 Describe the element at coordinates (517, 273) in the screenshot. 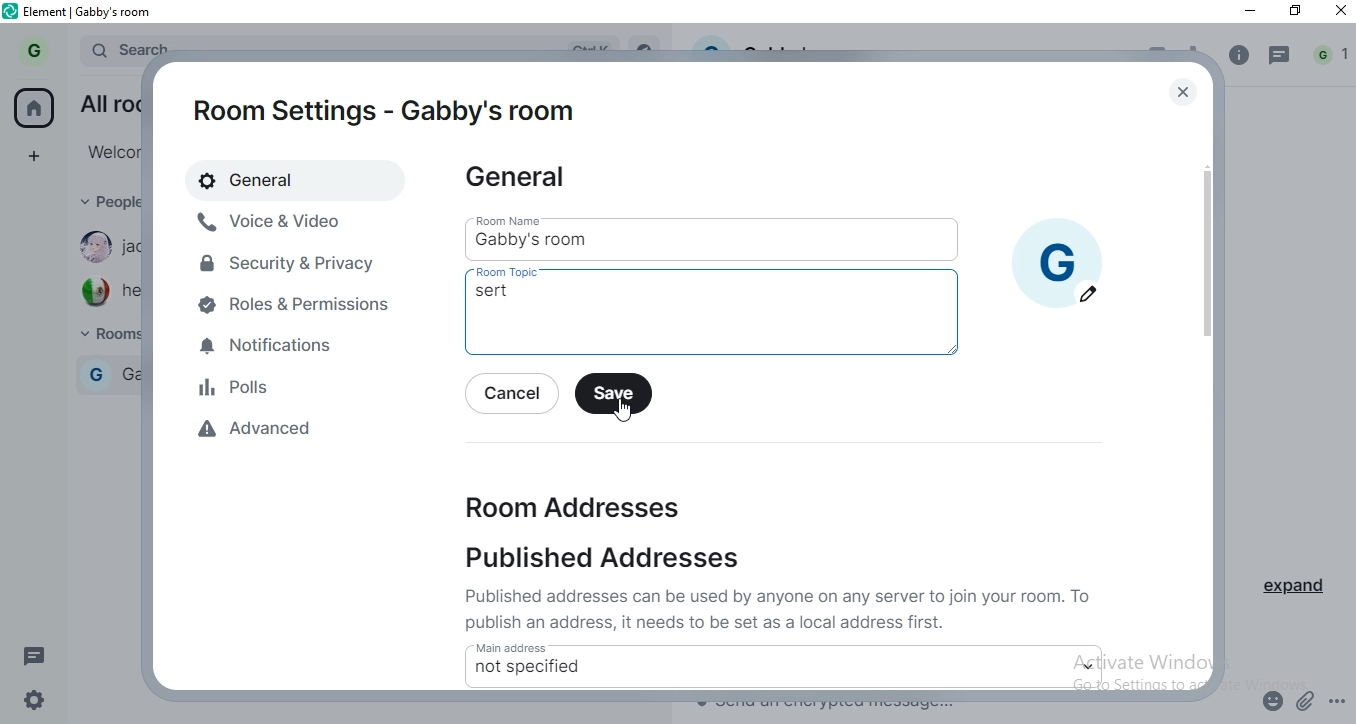

I see `room topic` at that location.